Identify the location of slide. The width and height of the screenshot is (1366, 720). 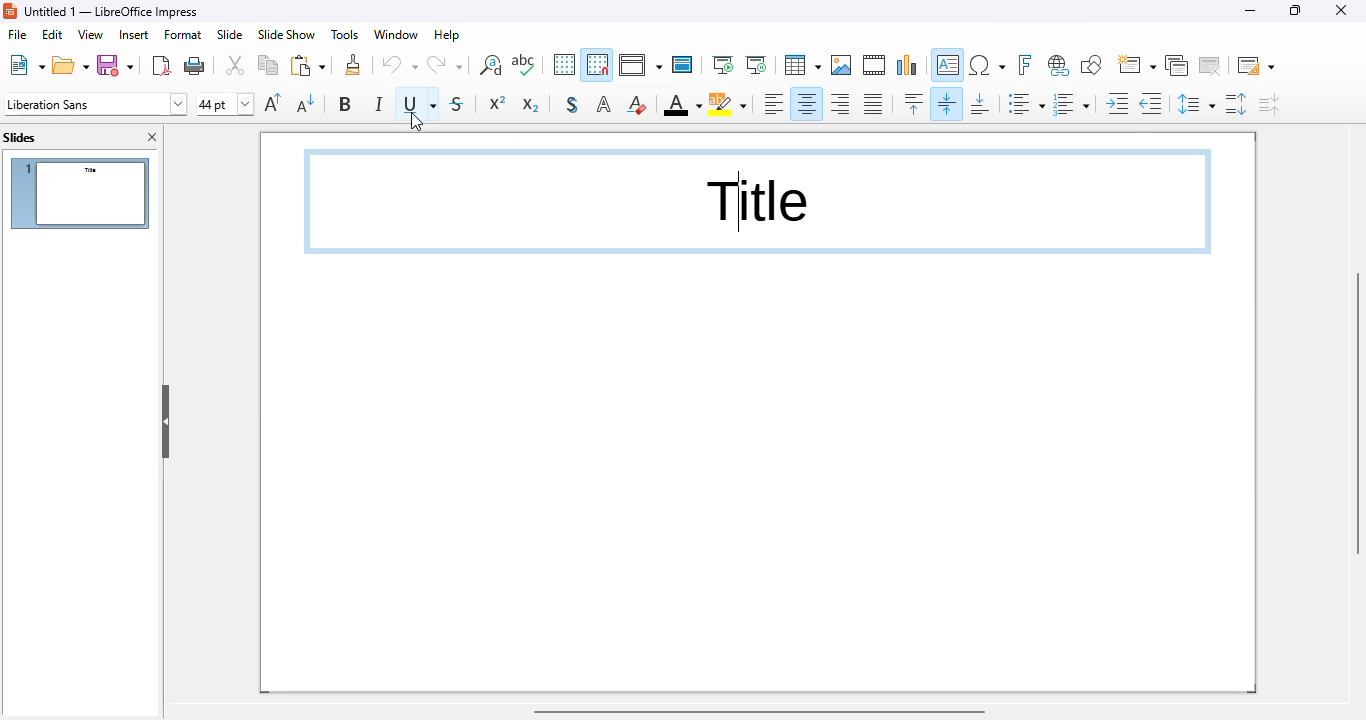
(231, 34).